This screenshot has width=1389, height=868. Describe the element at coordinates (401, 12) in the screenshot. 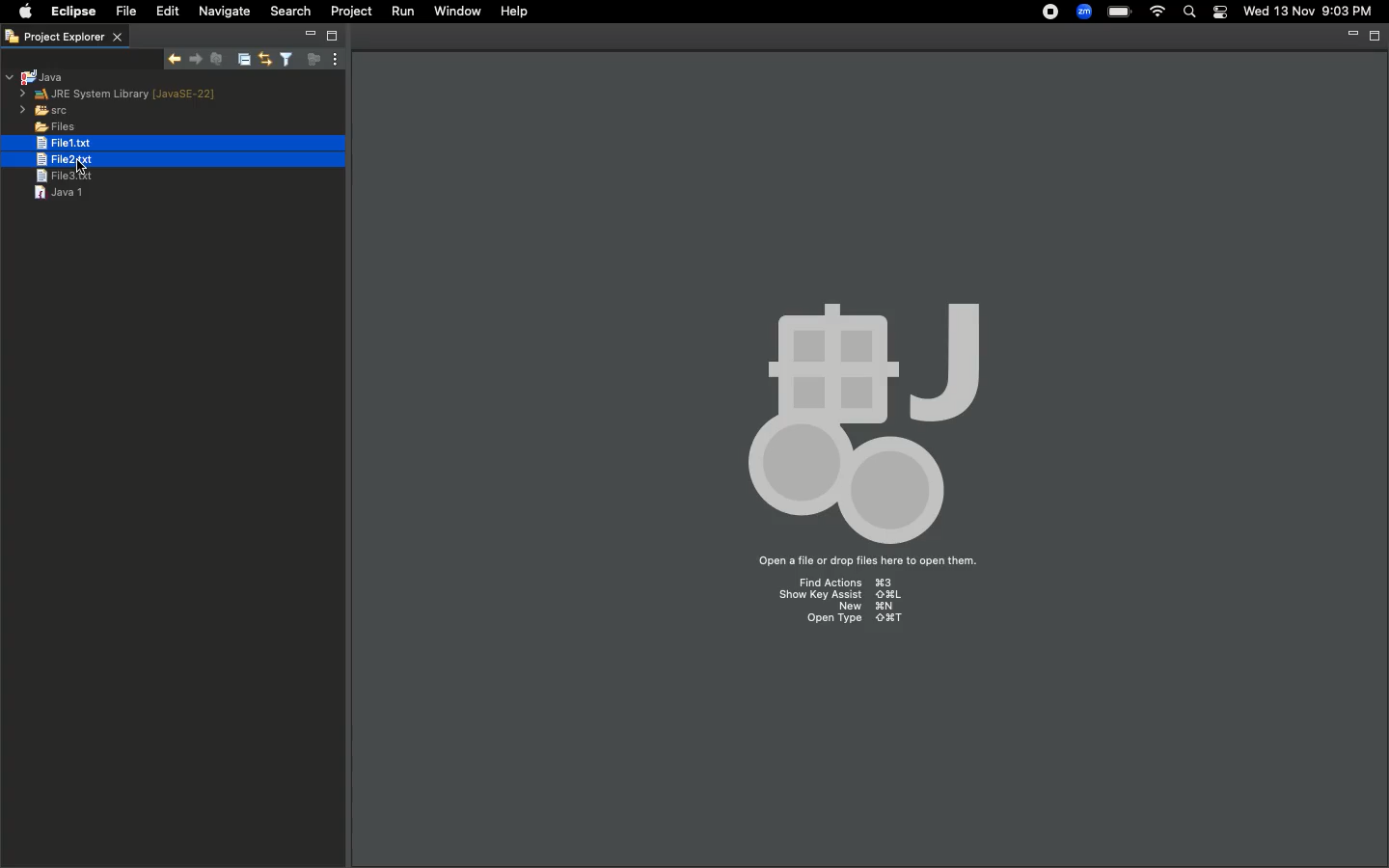

I see `Run` at that location.